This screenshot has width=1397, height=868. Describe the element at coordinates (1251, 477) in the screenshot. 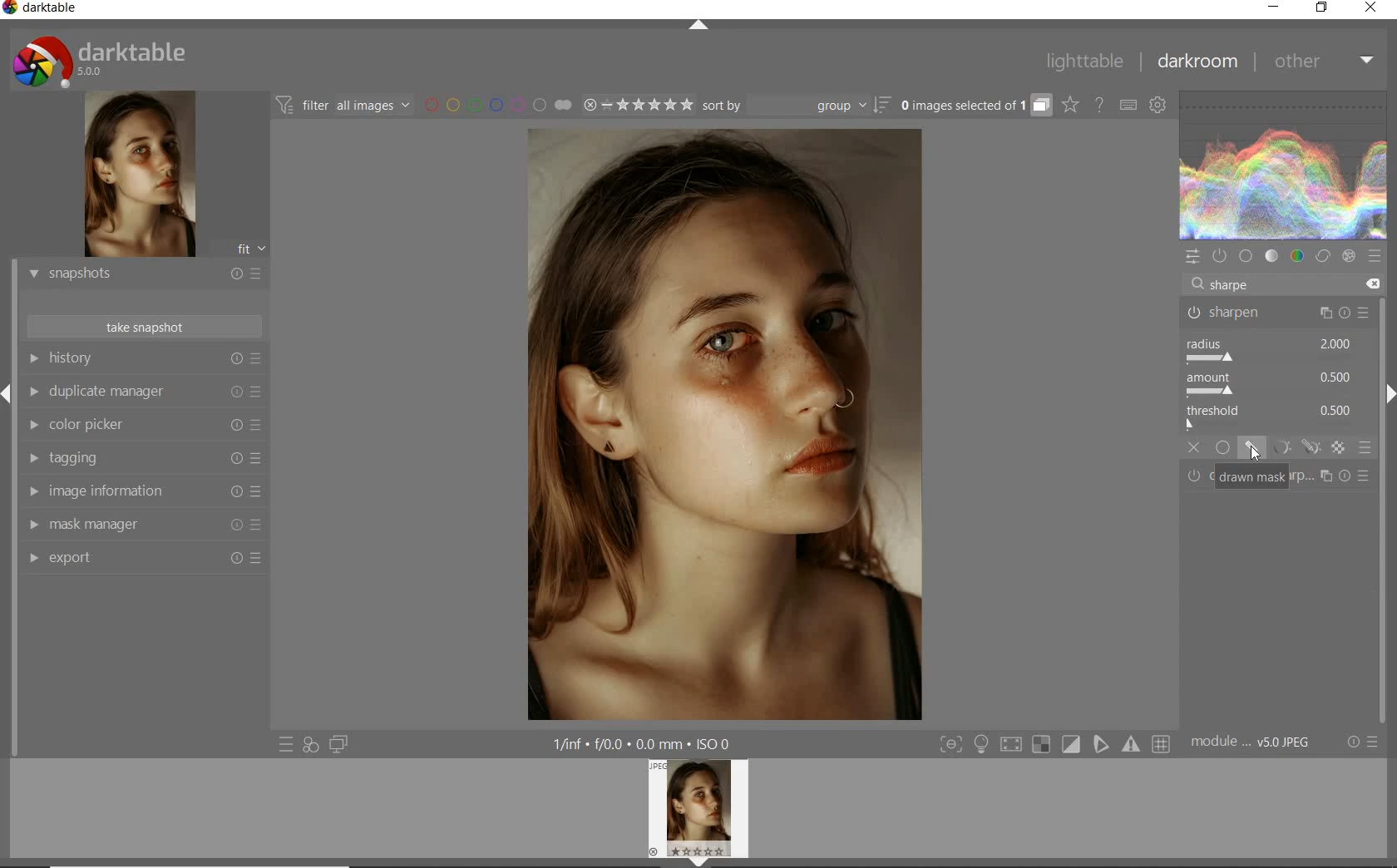

I see `DRAWN MASK` at that location.